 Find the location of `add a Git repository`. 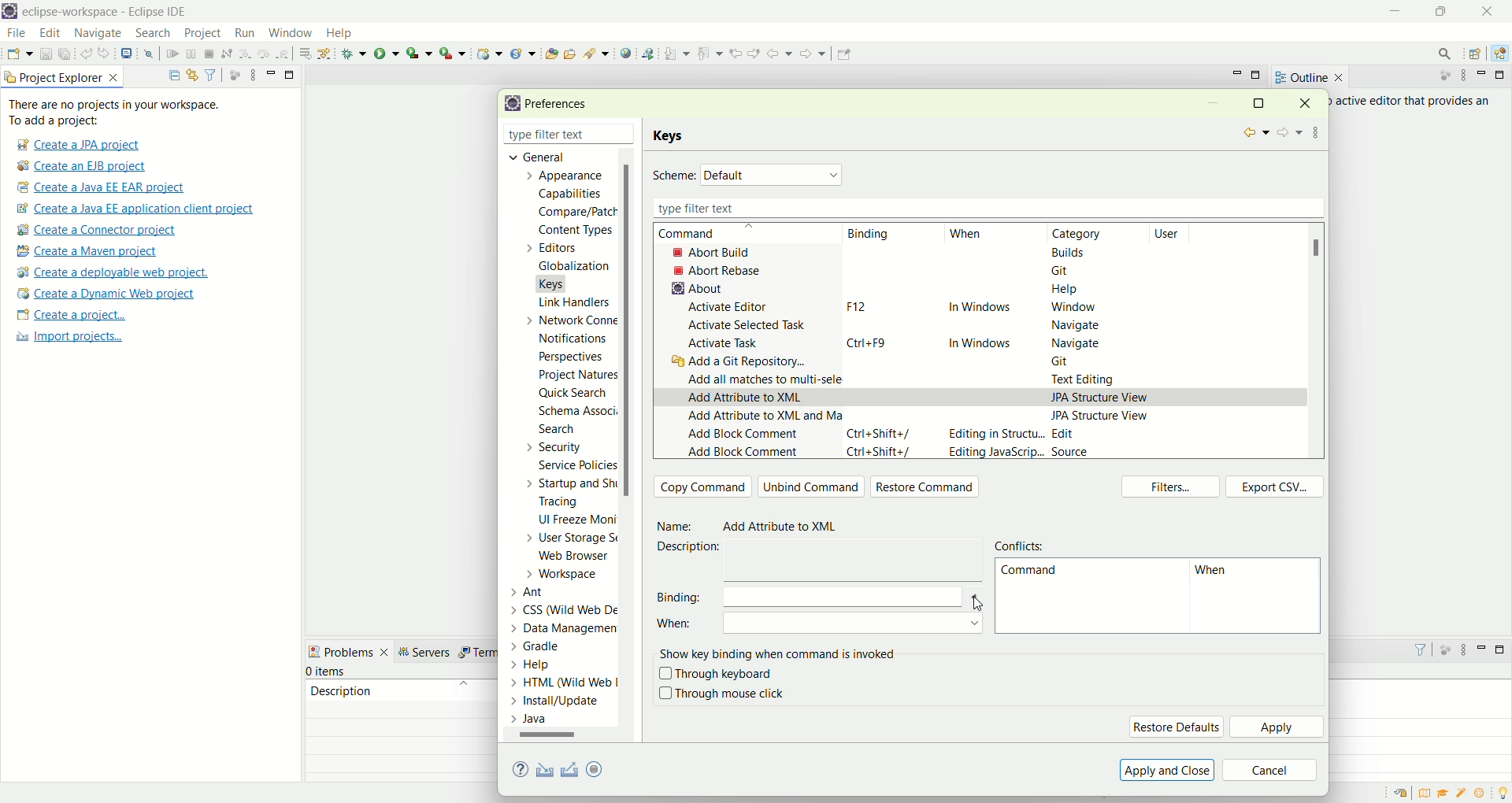

add a Git repository is located at coordinates (743, 363).